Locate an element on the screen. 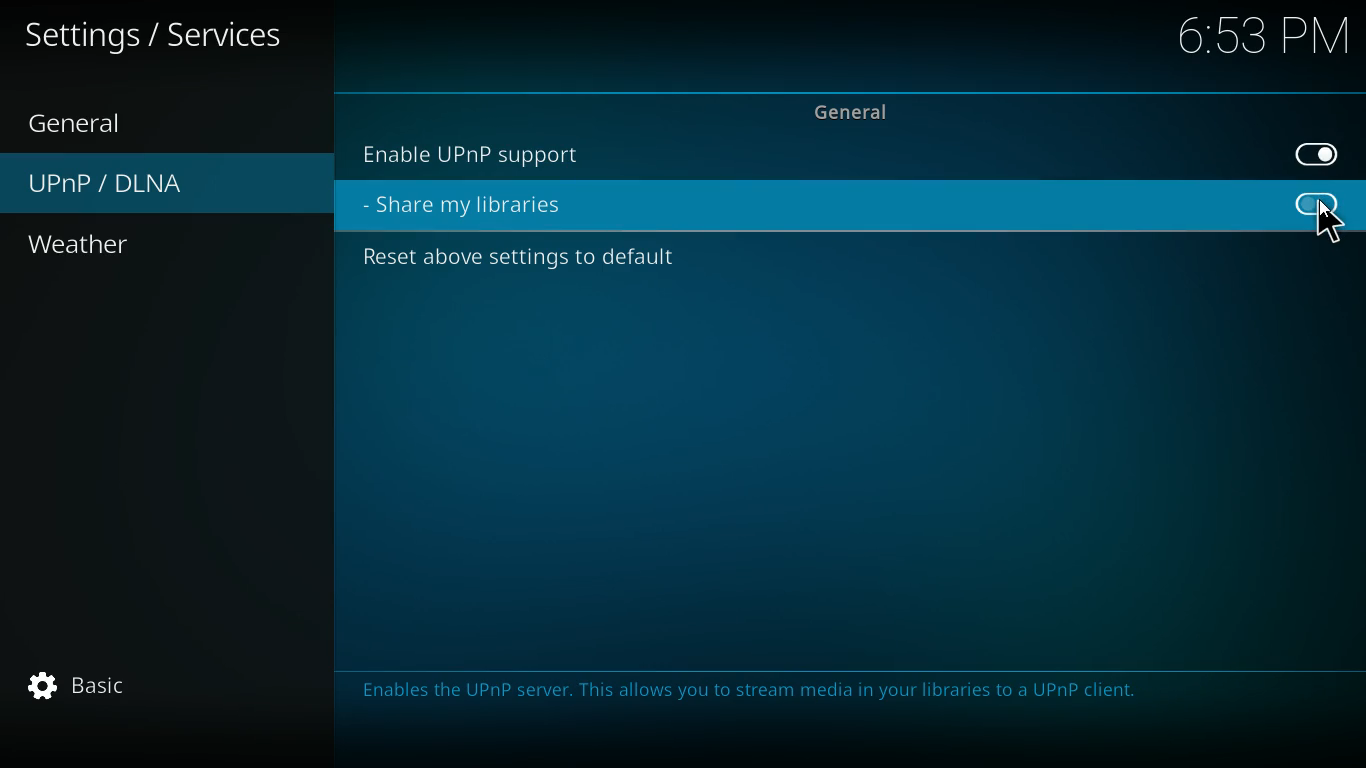 This screenshot has height=768, width=1366. reset is located at coordinates (536, 261).